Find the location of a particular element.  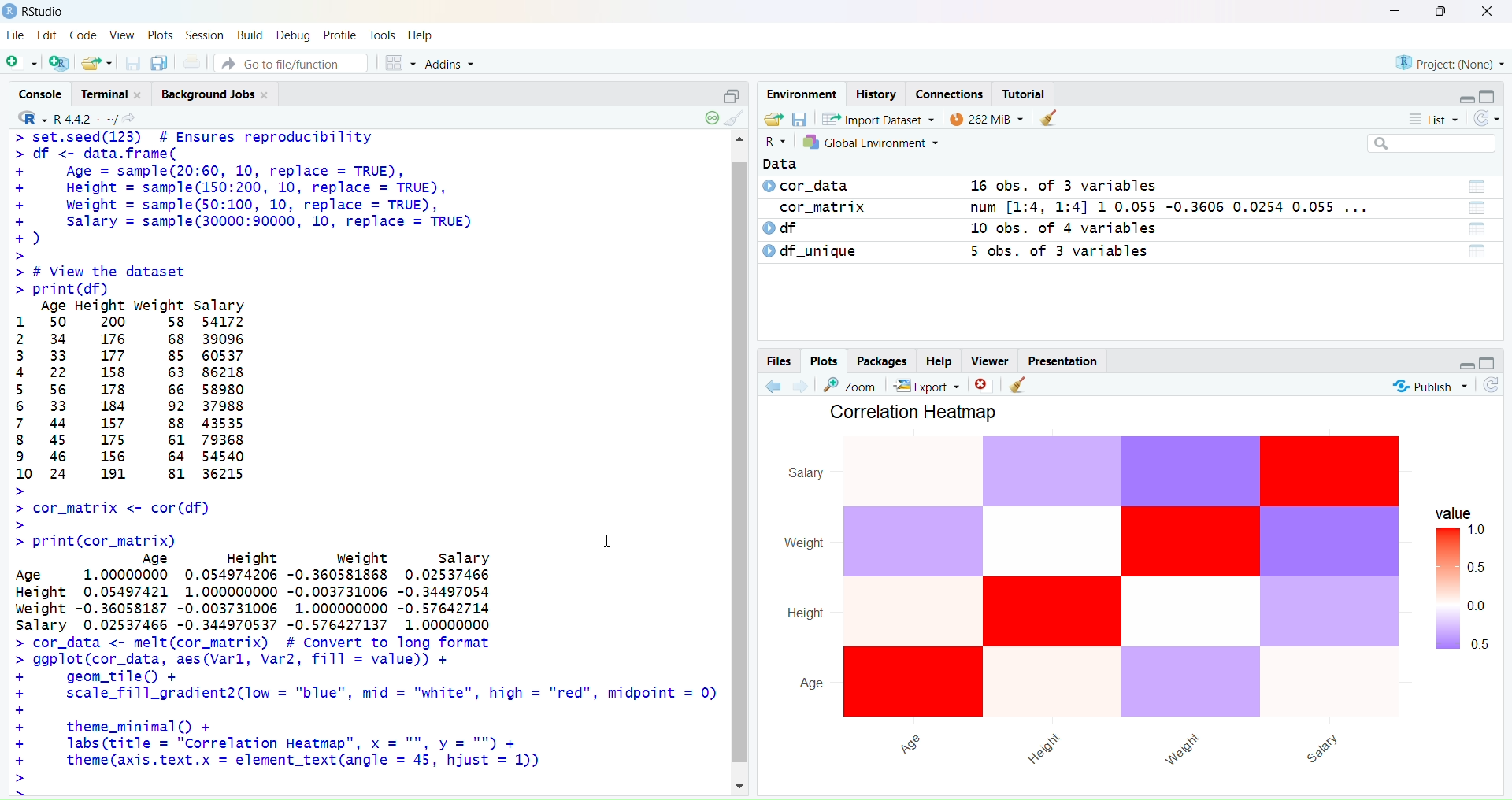

List is located at coordinates (1431, 118).